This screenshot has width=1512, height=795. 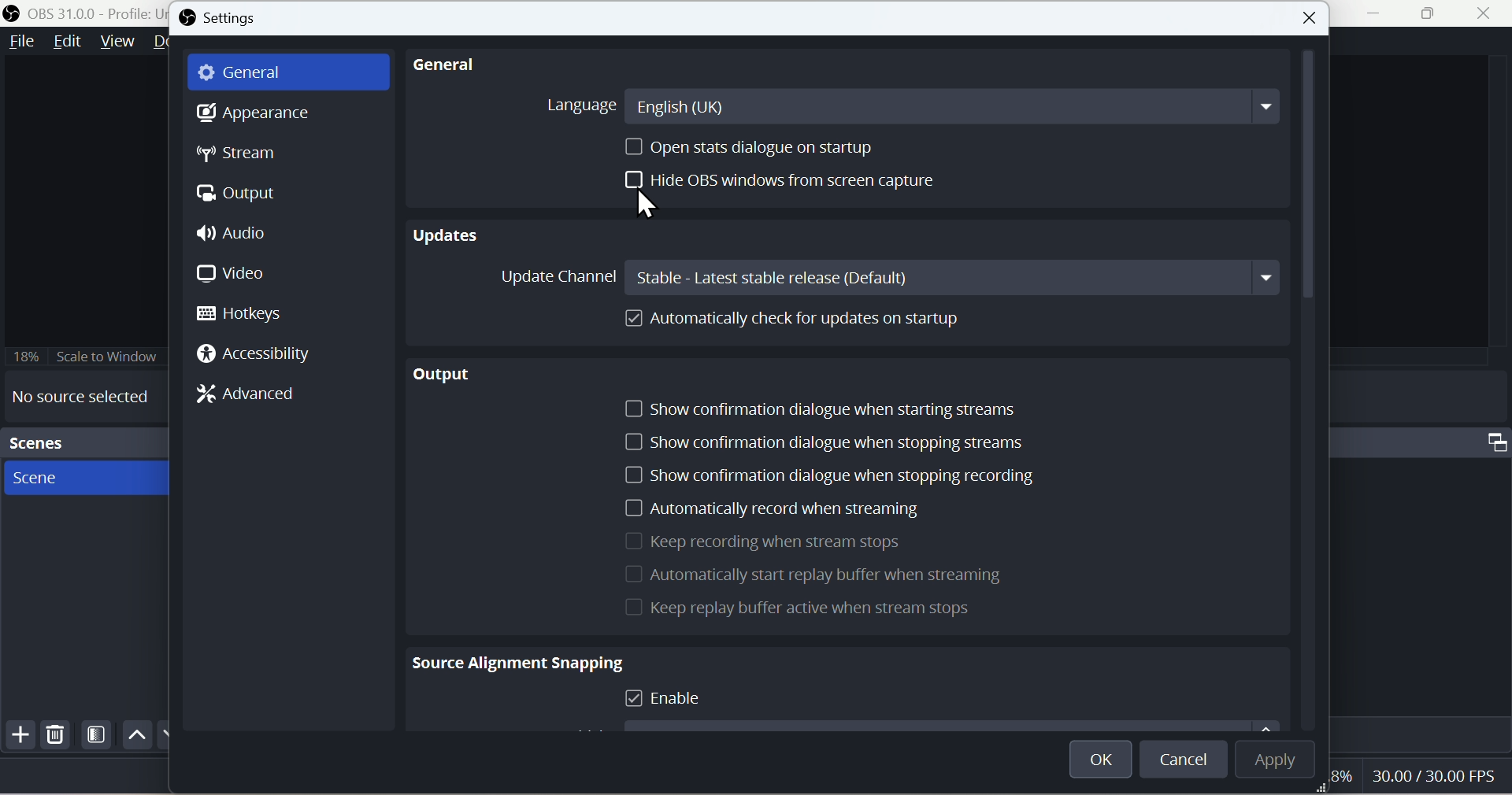 What do you see at coordinates (1308, 179) in the screenshot?
I see `Vertical Scrollbar` at bounding box center [1308, 179].